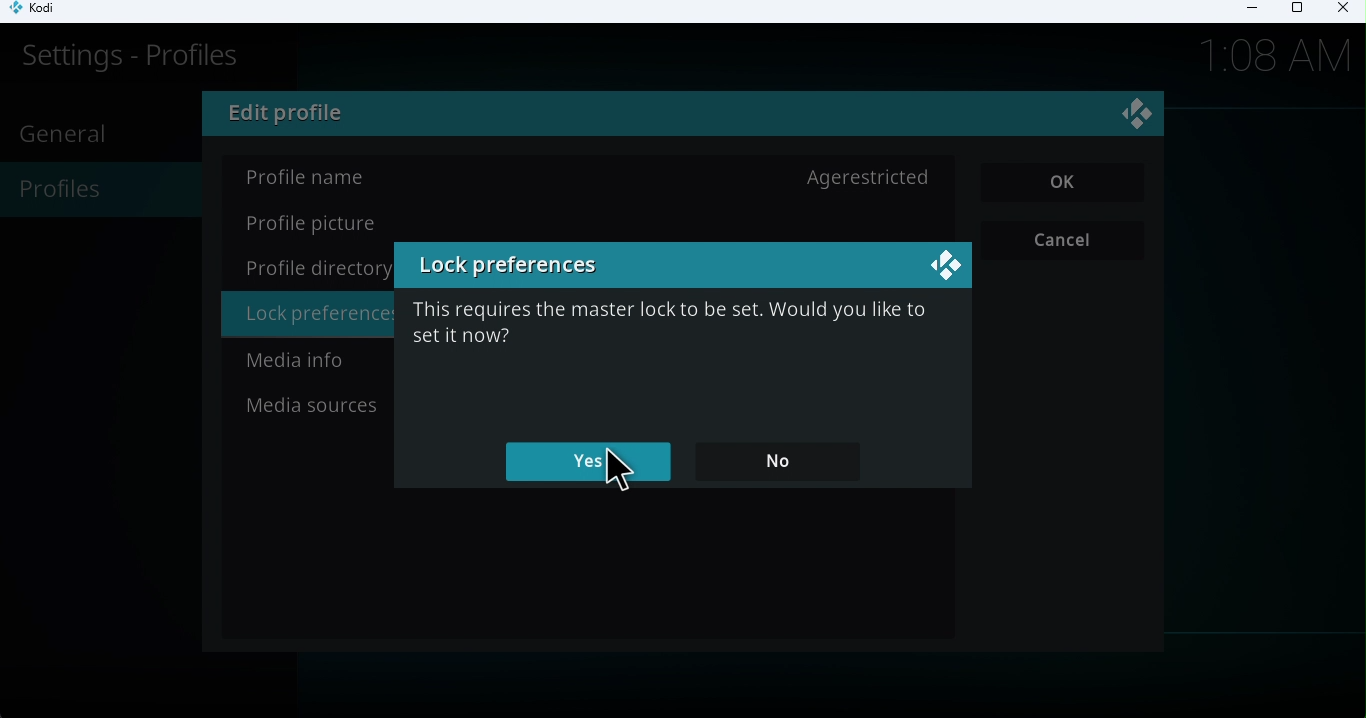 This screenshot has width=1366, height=718. What do you see at coordinates (122, 63) in the screenshot?
I see `Settings-profile` at bounding box center [122, 63].